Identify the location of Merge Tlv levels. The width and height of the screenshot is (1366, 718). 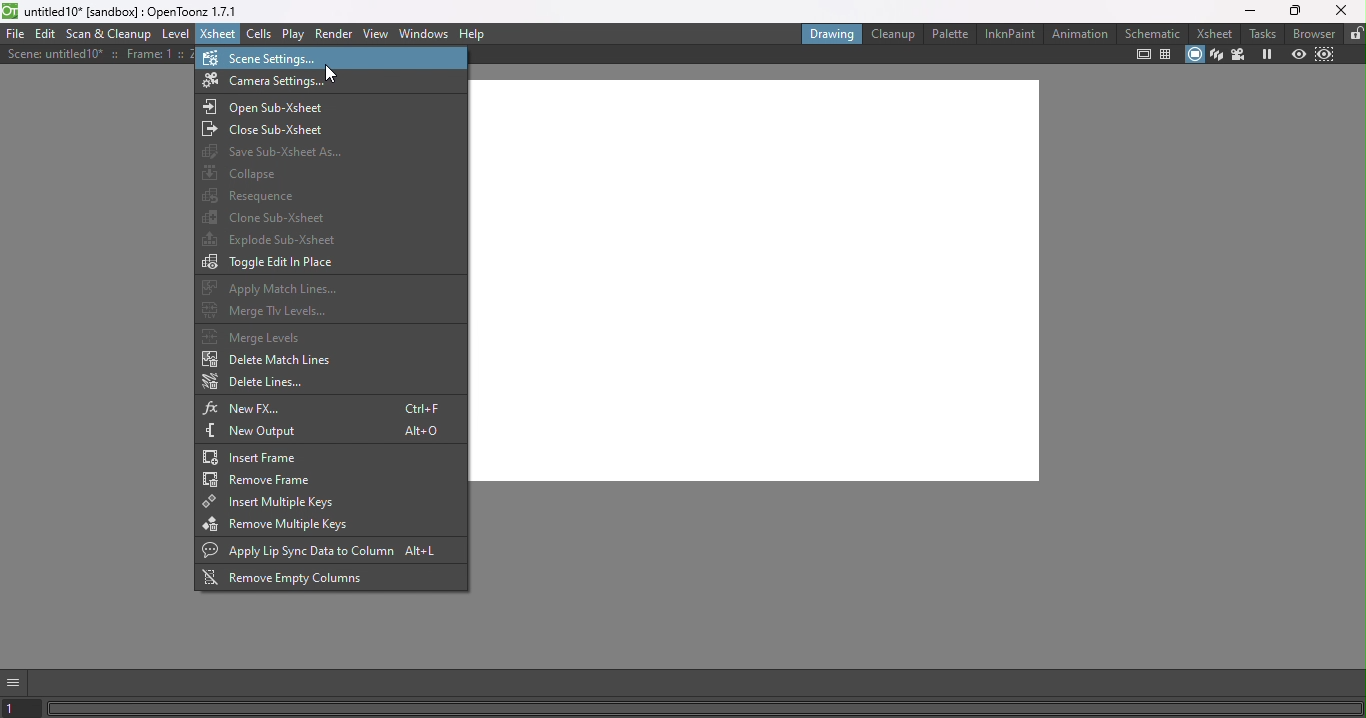
(268, 310).